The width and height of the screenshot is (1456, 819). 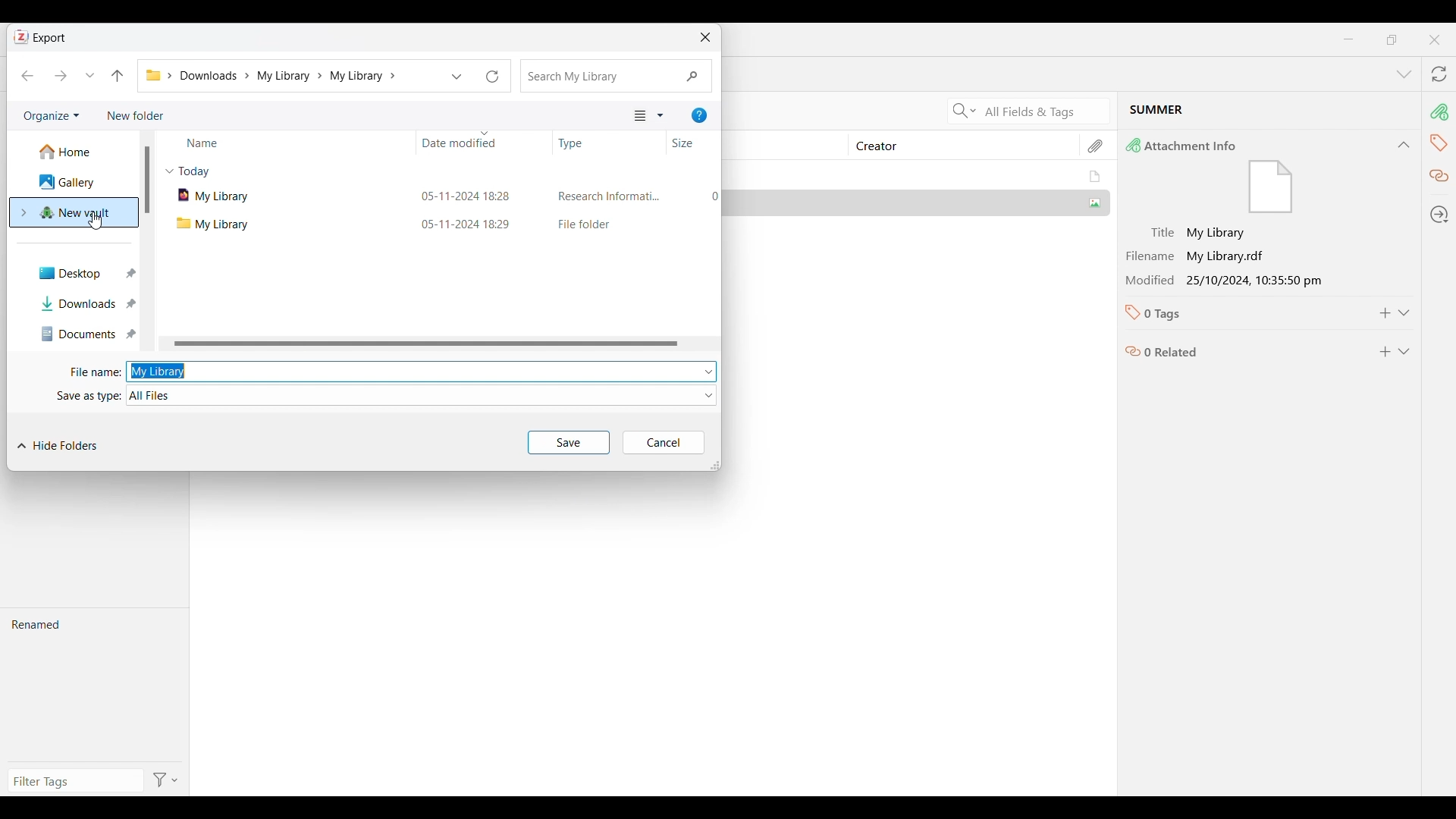 I want to click on File format , so click(x=422, y=396).